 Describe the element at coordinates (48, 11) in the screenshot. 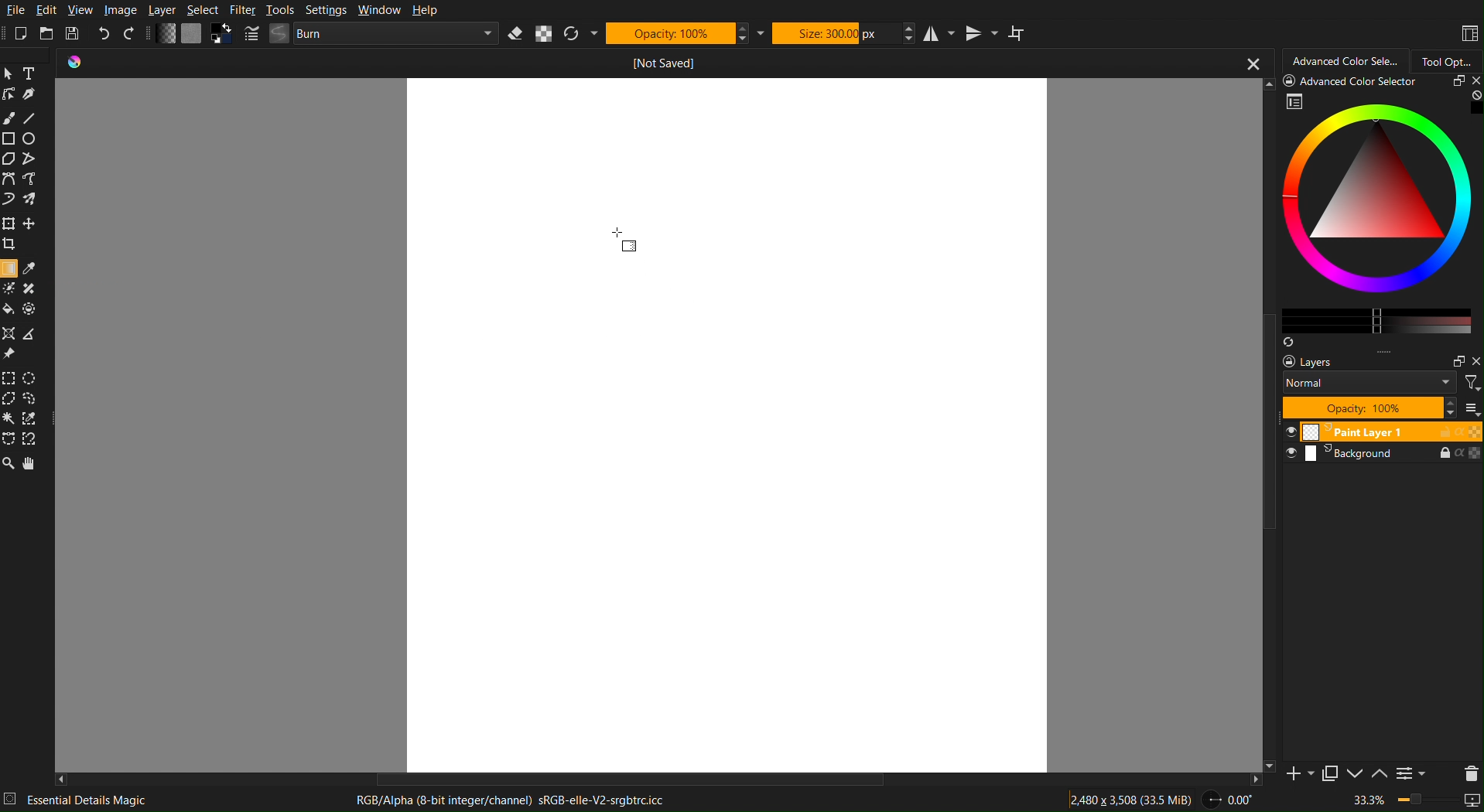

I see `Edit` at that location.